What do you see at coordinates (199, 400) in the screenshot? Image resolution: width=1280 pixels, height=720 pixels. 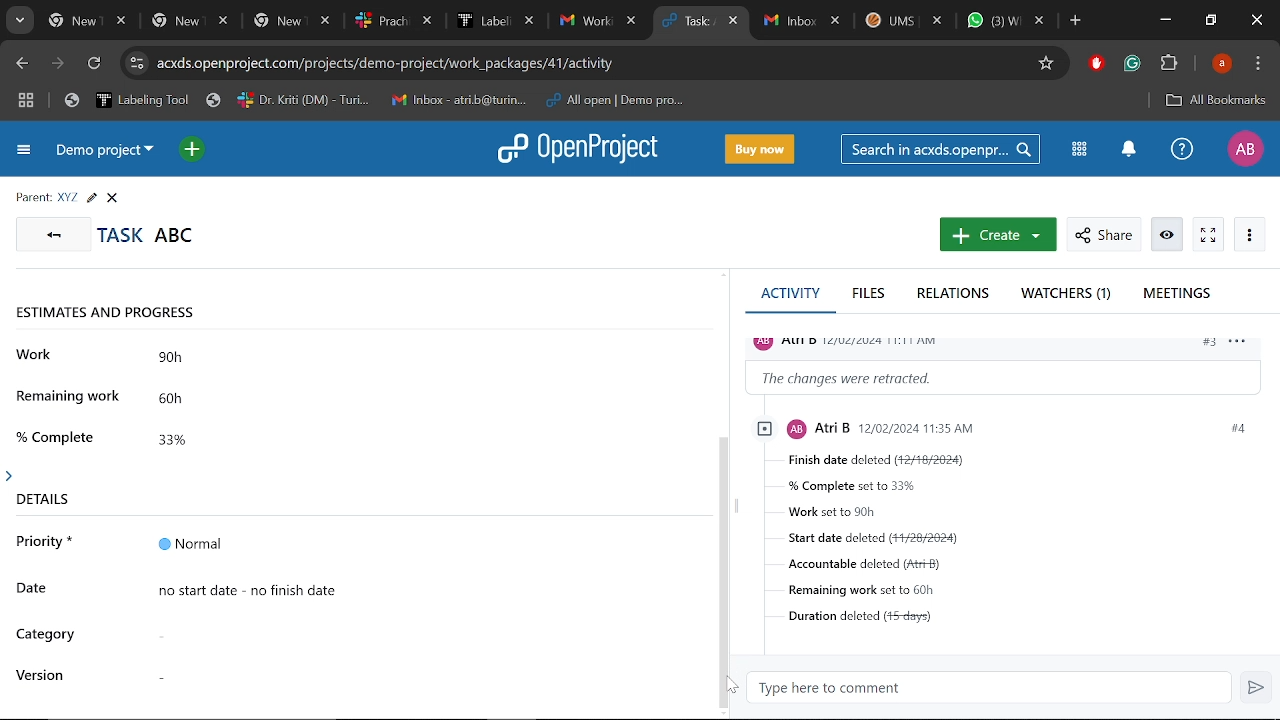 I see `60h` at bounding box center [199, 400].